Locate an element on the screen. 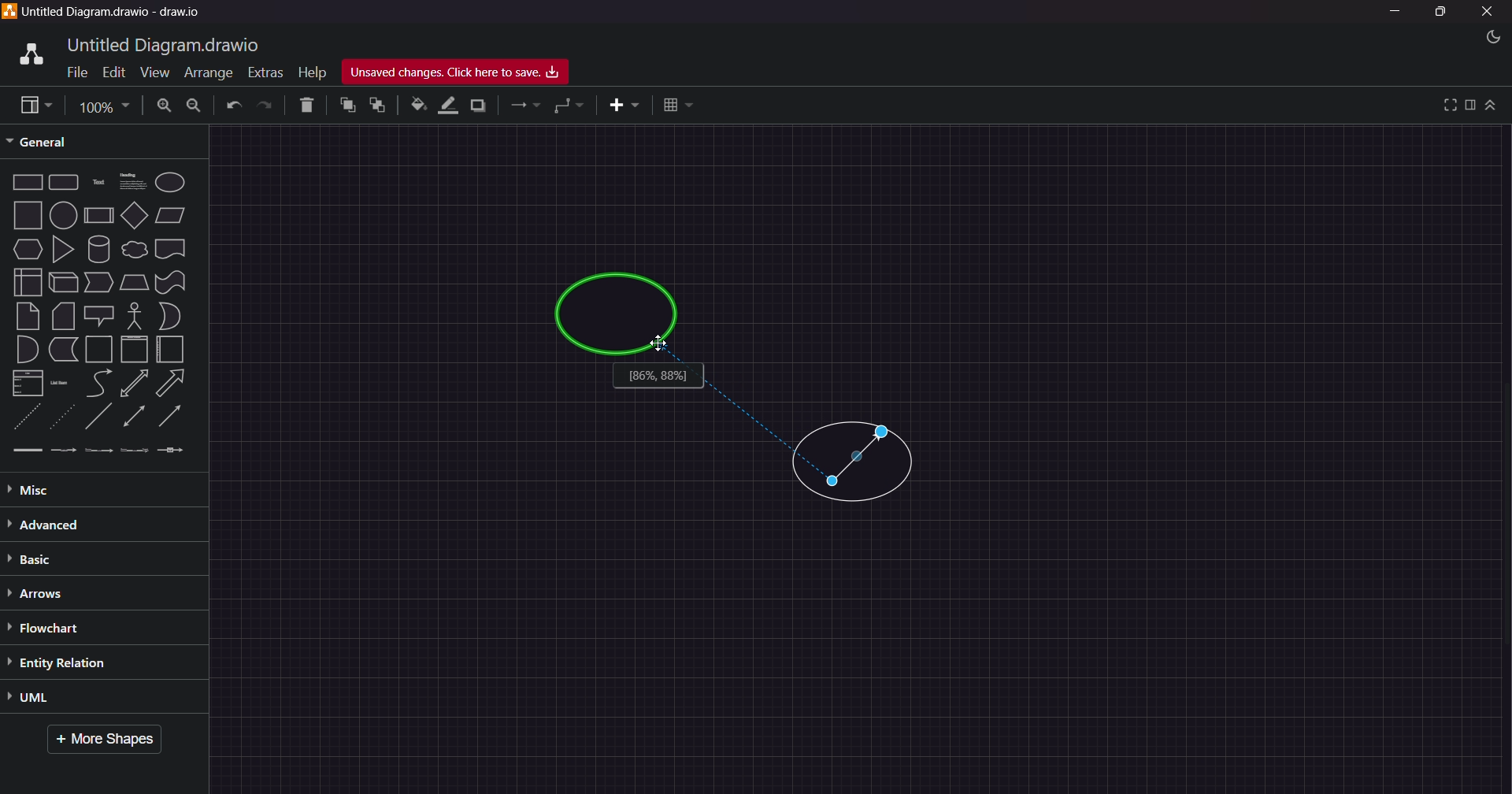  connections is located at coordinates (524, 106).